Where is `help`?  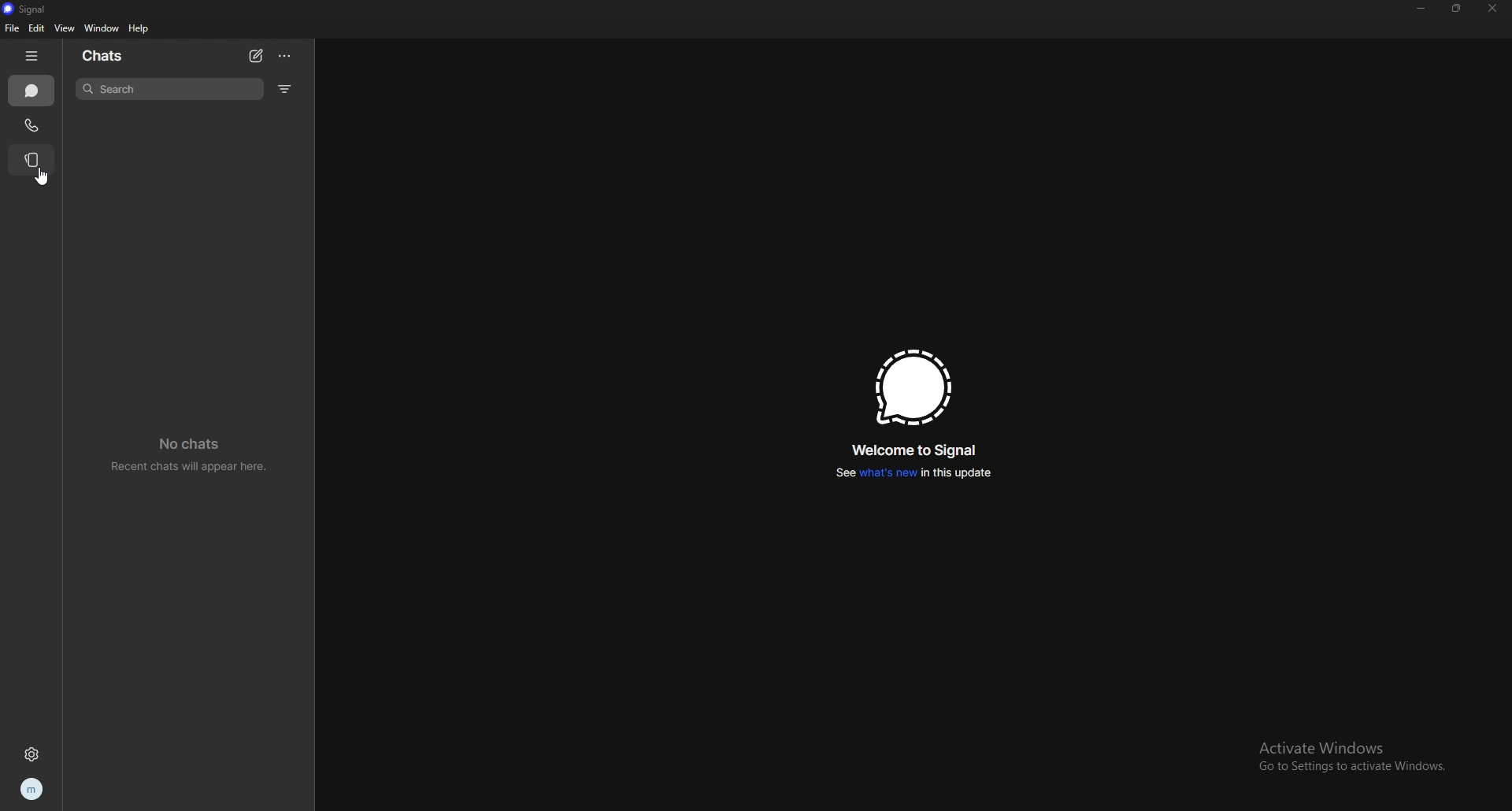 help is located at coordinates (139, 29).